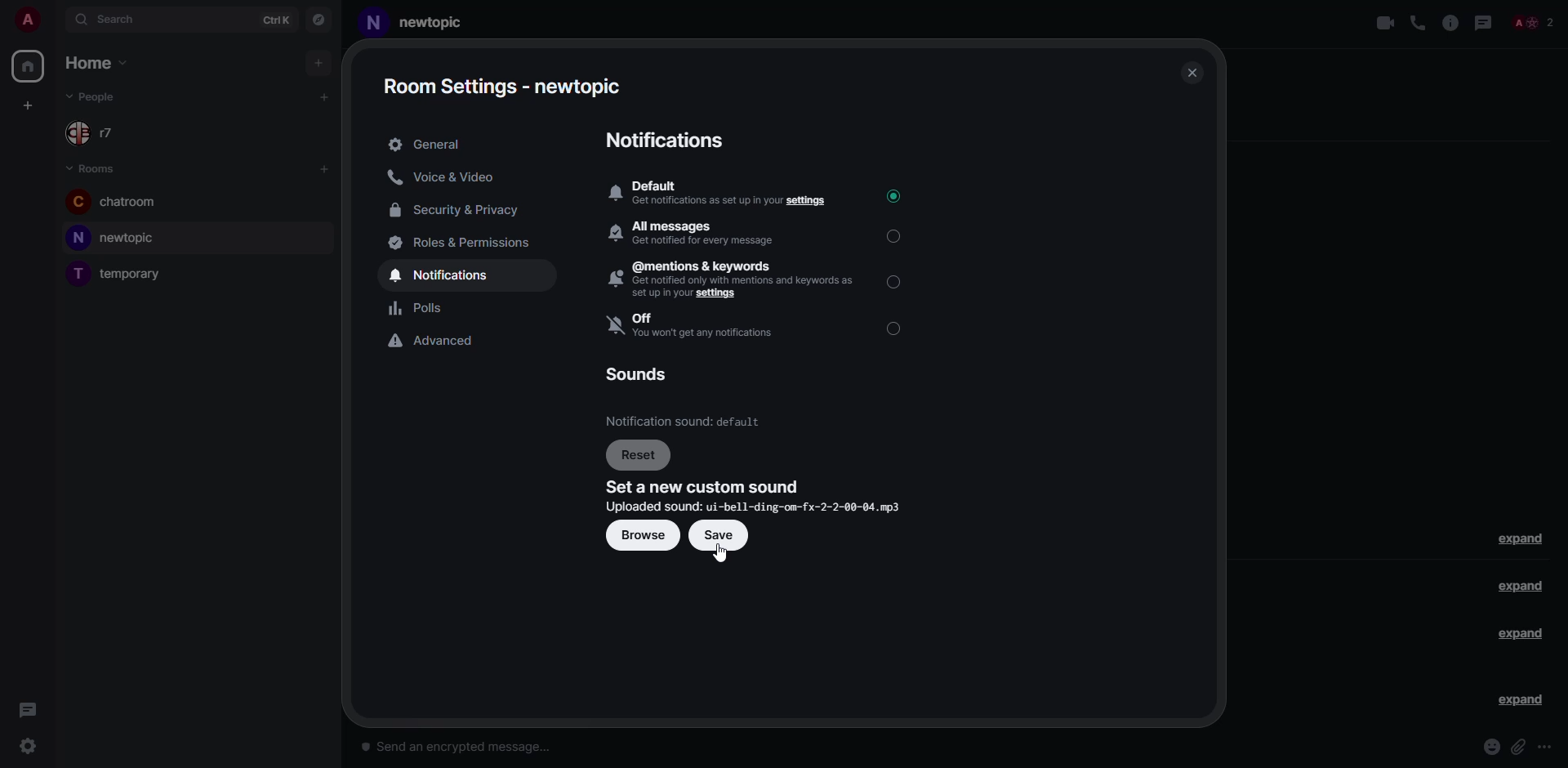 This screenshot has height=768, width=1568. I want to click on attach, so click(1519, 747).